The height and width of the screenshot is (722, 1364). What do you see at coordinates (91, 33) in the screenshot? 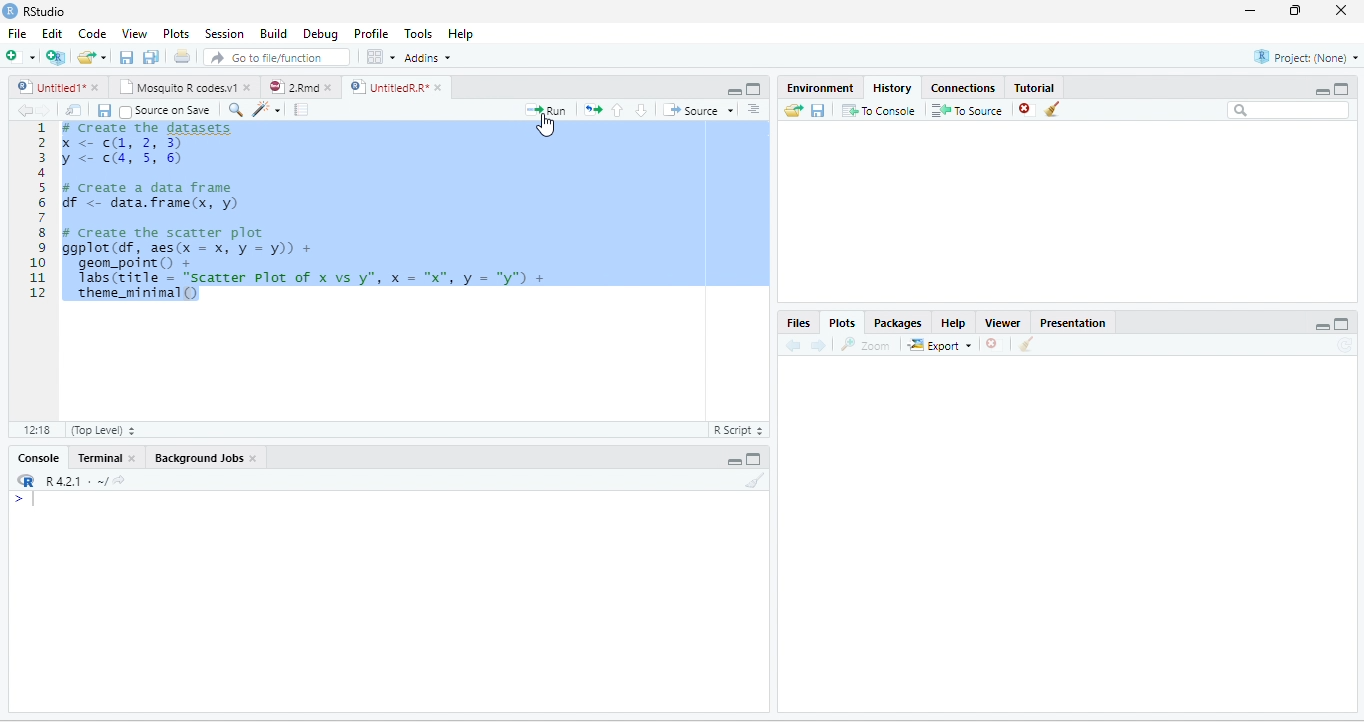
I see `Code` at bounding box center [91, 33].